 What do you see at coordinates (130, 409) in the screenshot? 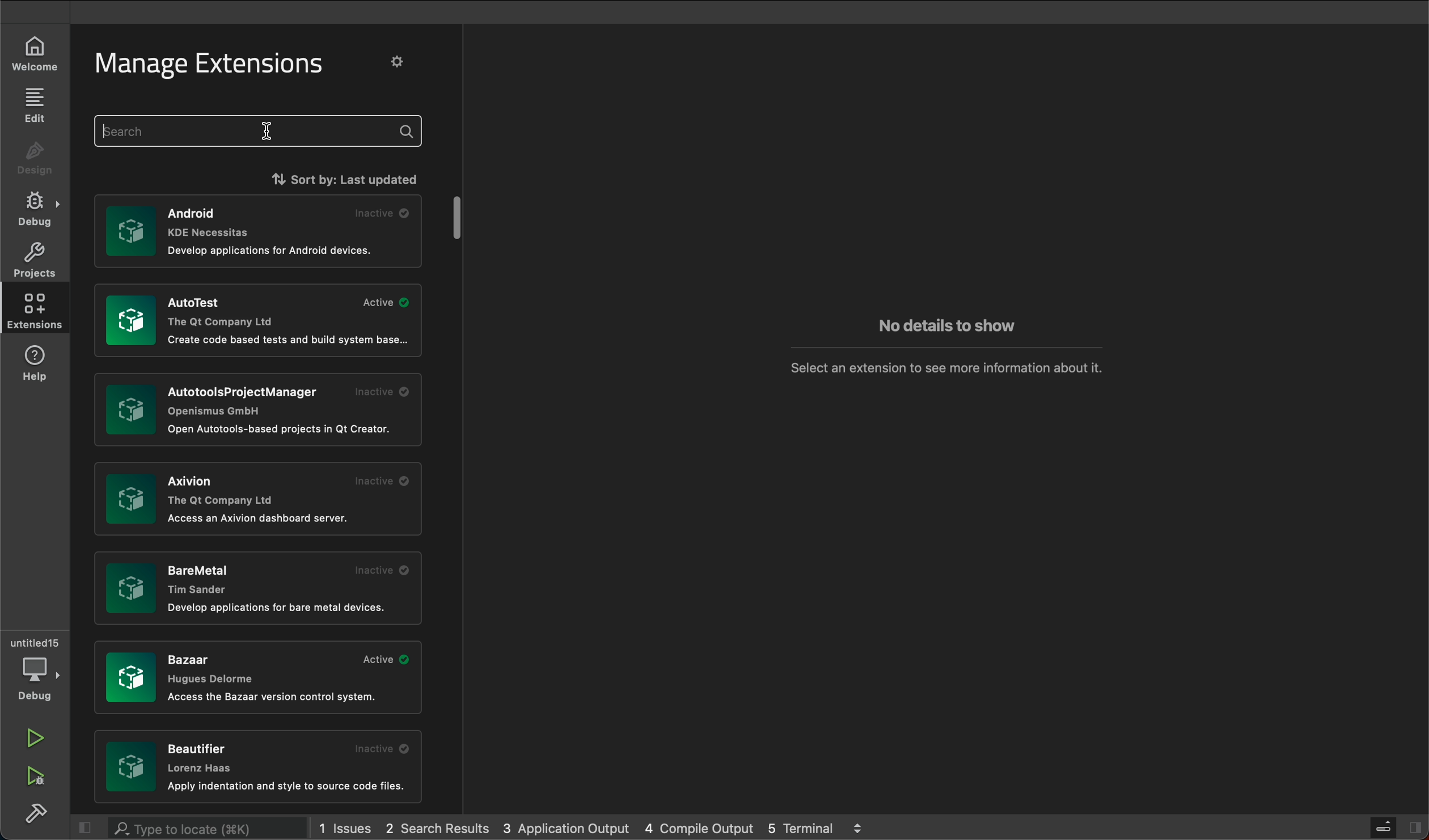
I see `image` at bounding box center [130, 409].